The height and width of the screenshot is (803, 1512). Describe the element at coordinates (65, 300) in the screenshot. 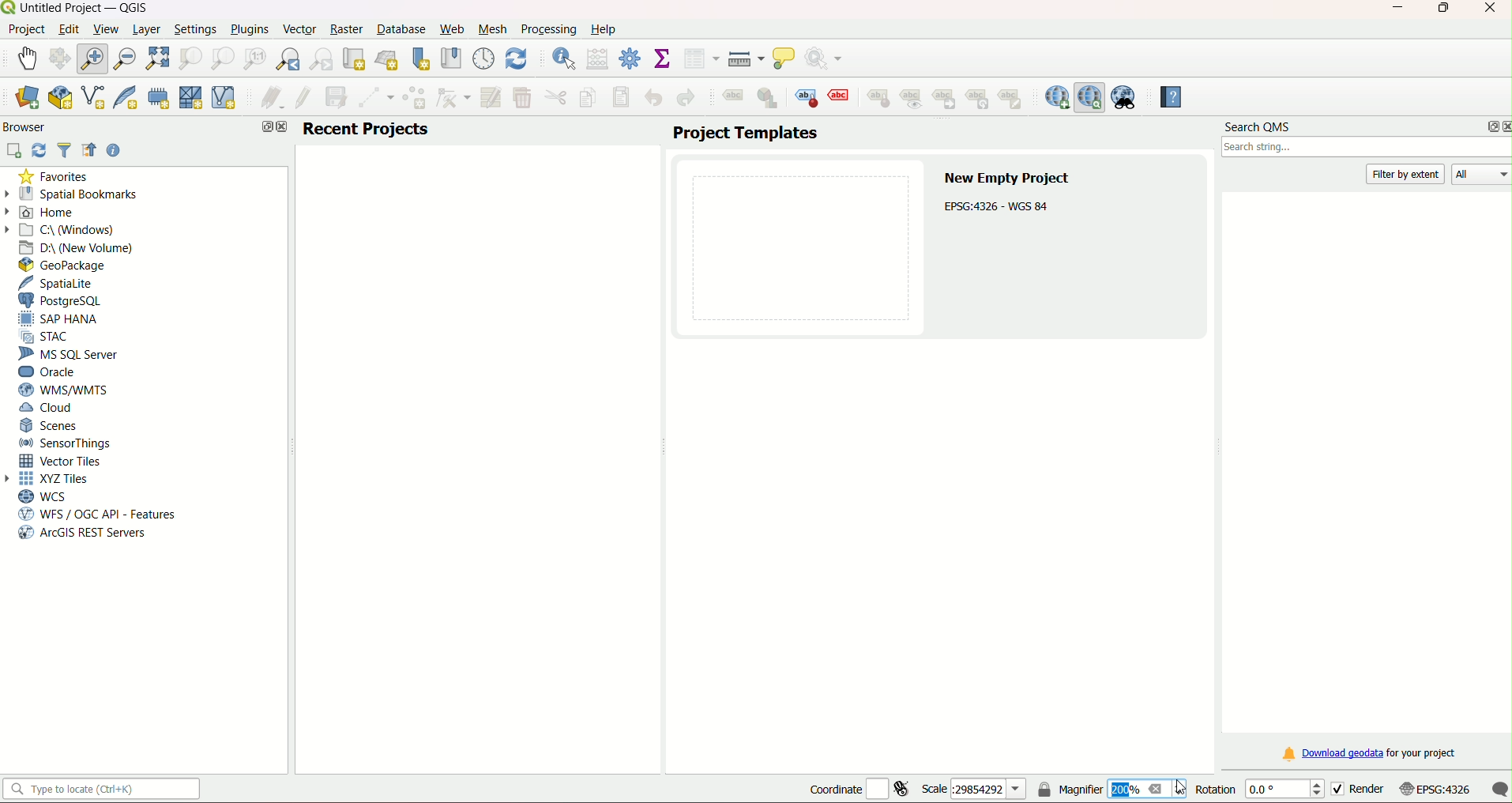

I see `PostGre SQL` at that location.